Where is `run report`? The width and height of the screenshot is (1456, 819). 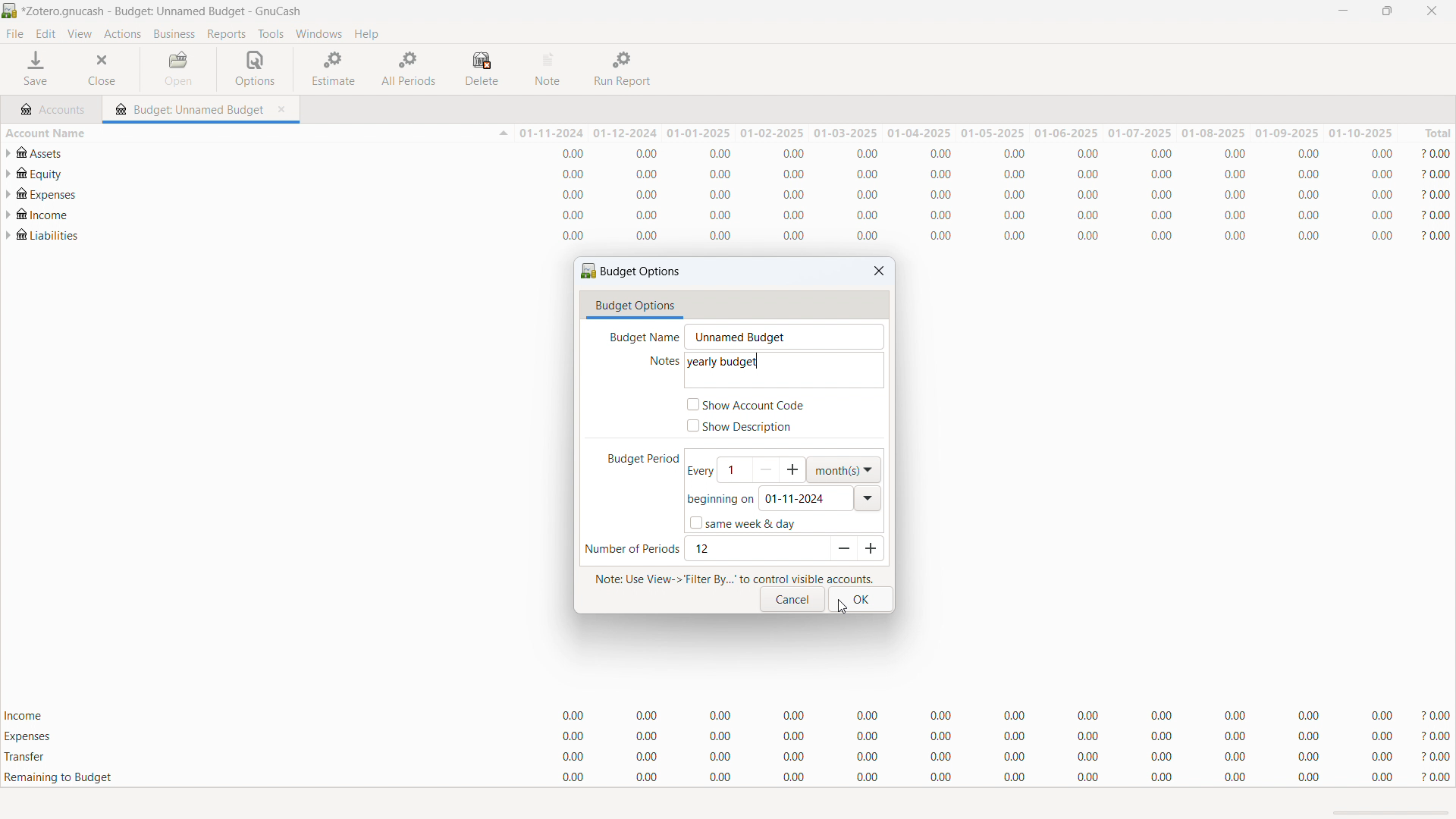
run report is located at coordinates (624, 69).